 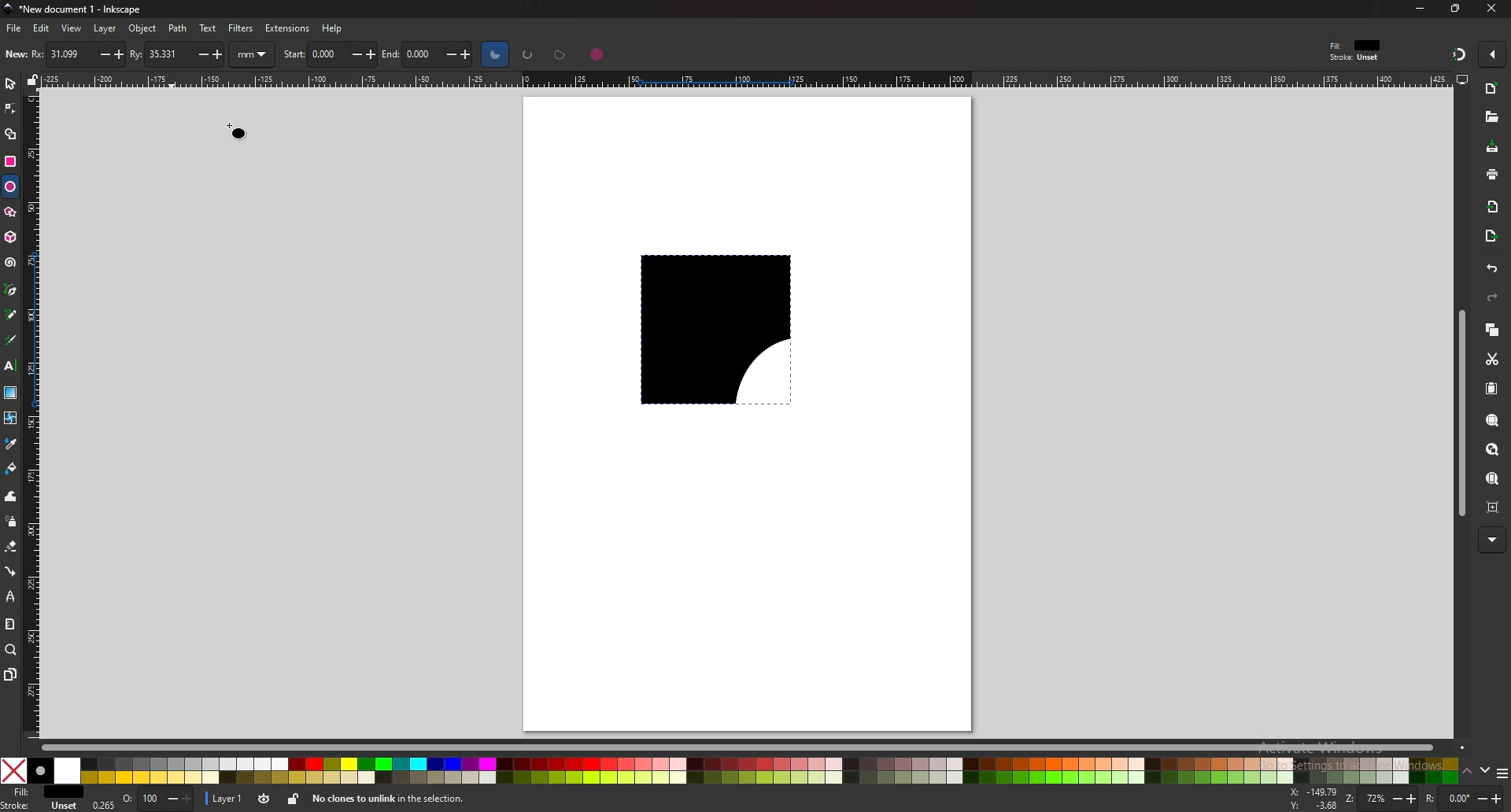 I want to click on extensions, so click(x=286, y=28).